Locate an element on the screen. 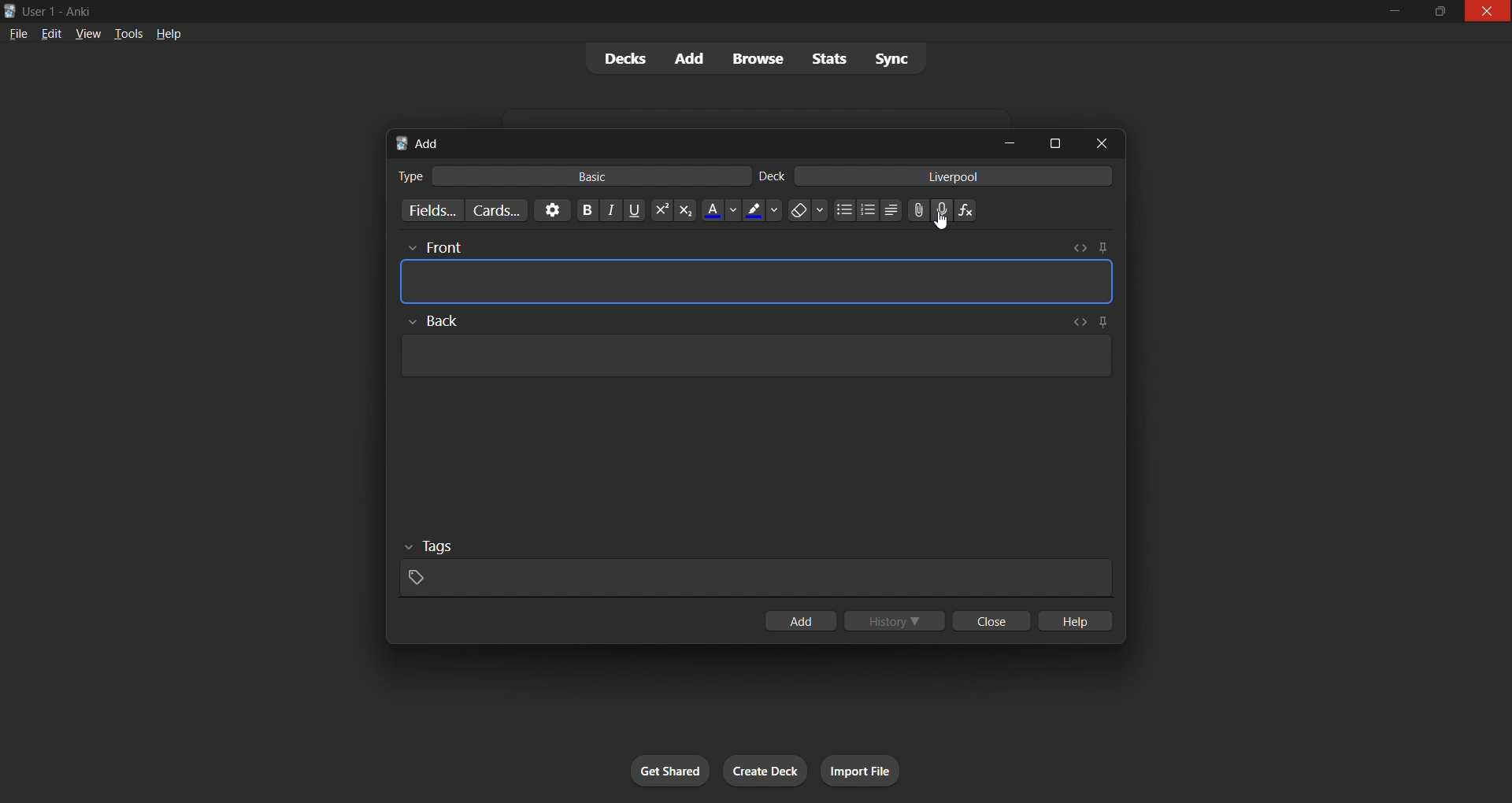 Image resolution: width=1512 pixels, height=803 pixels. deck  is located at coordinates (775, 175).